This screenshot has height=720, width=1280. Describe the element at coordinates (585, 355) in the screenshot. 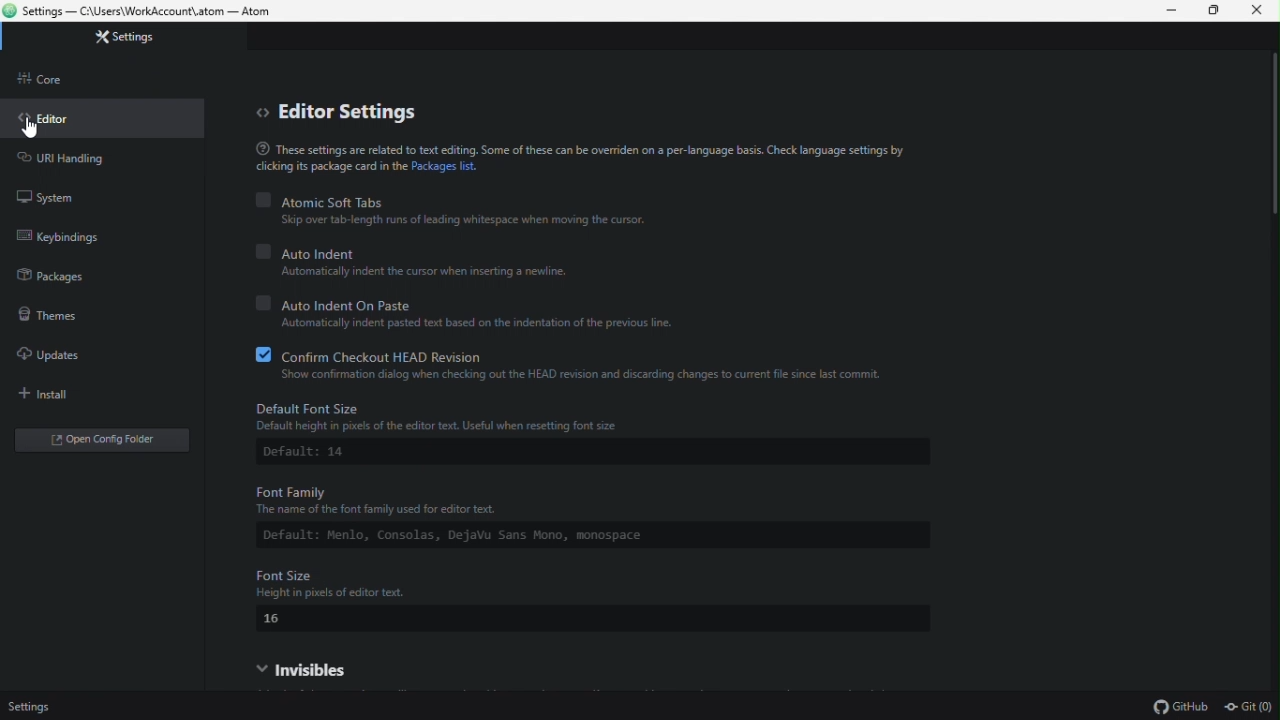

I see `Confirm check out head revision` at that location.